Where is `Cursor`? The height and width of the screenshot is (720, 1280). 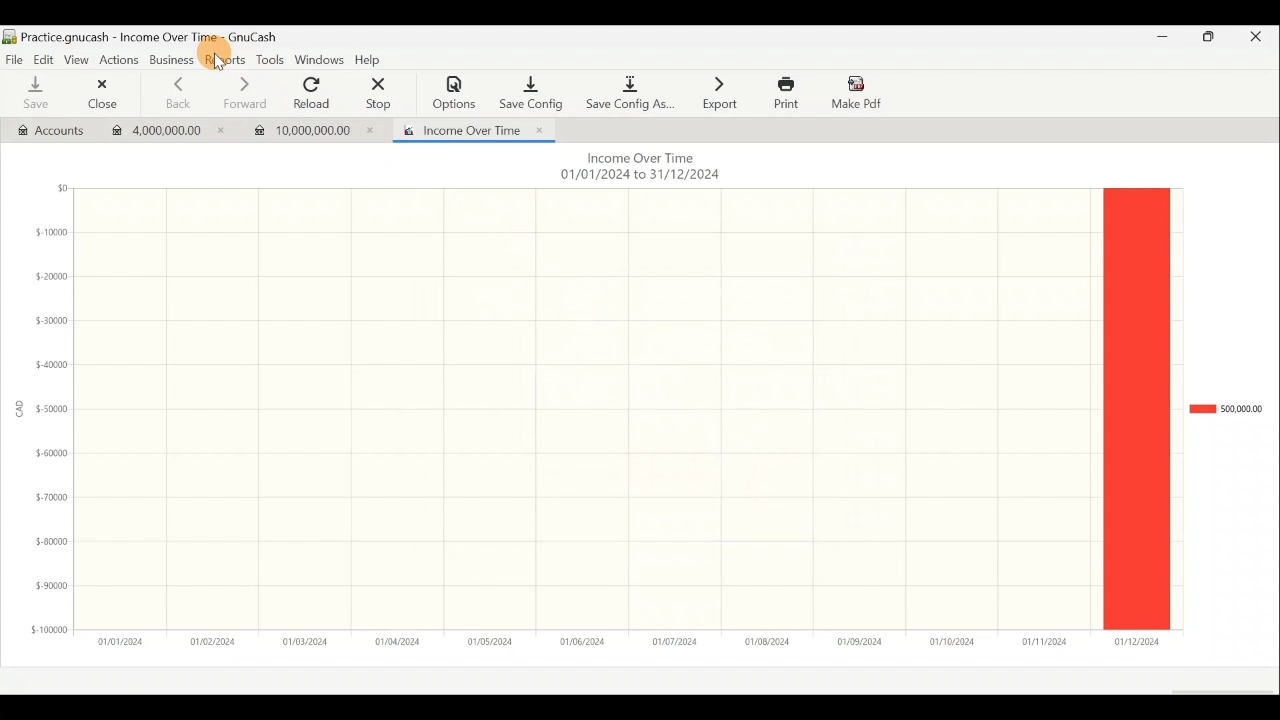
Cursor is located at coordinates (220, 62).